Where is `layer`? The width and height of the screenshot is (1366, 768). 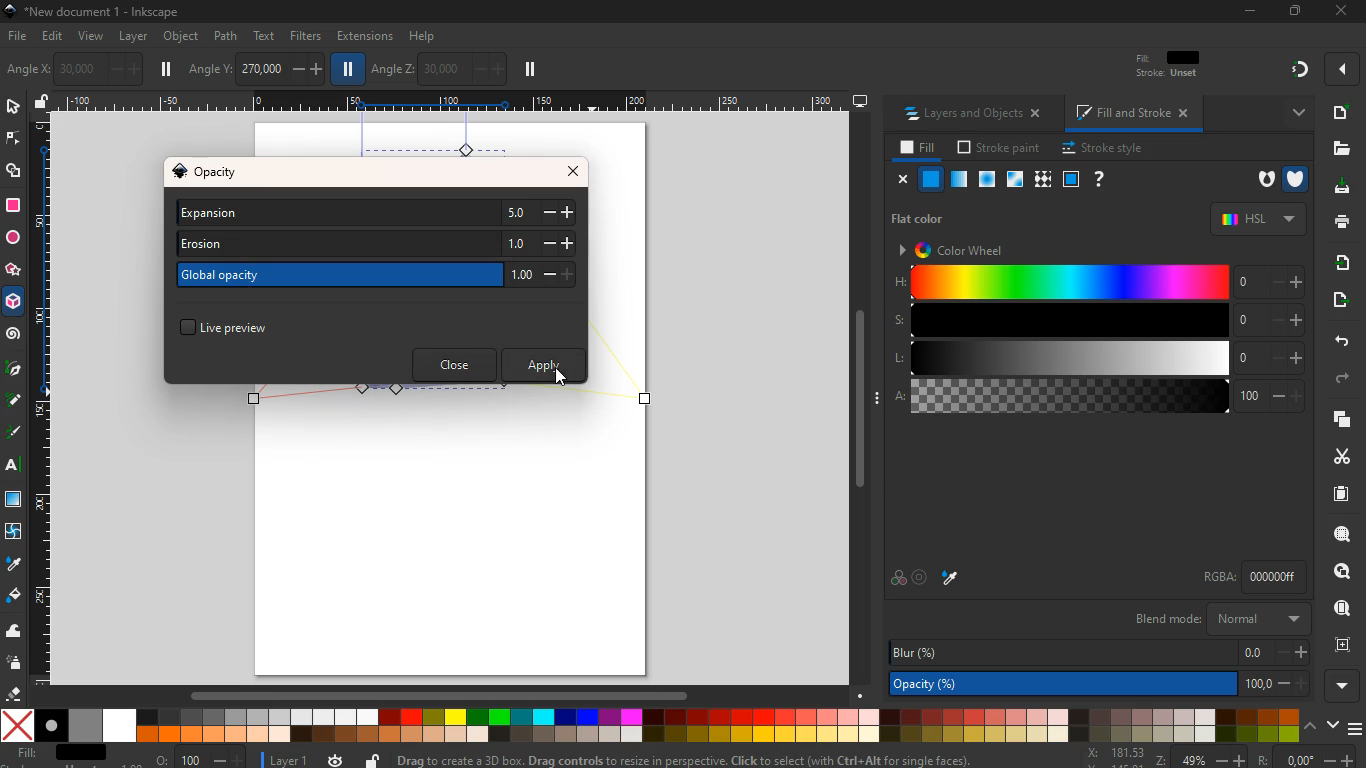
layer is located at coordinates (285, 758).